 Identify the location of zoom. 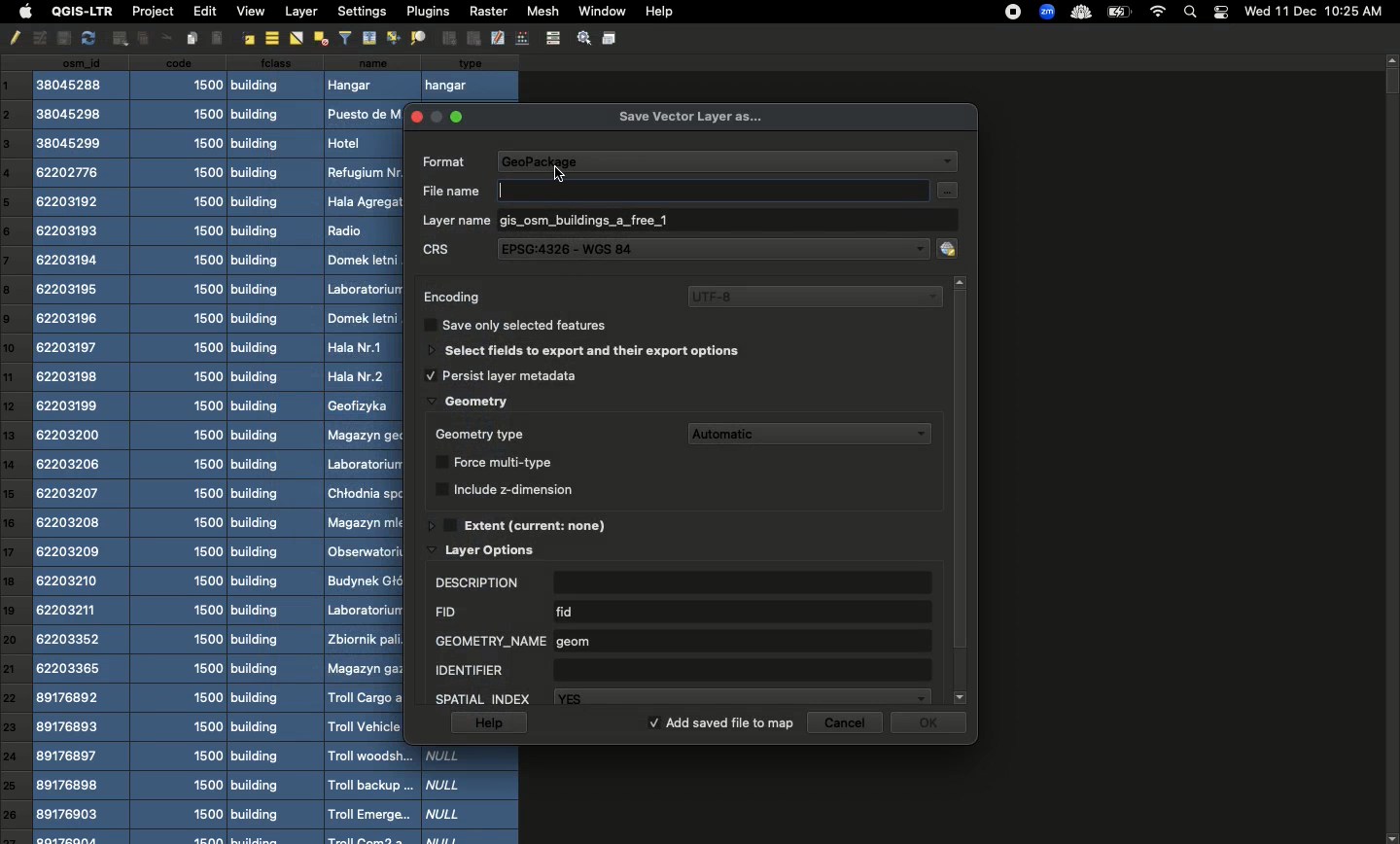
(1045, 11).